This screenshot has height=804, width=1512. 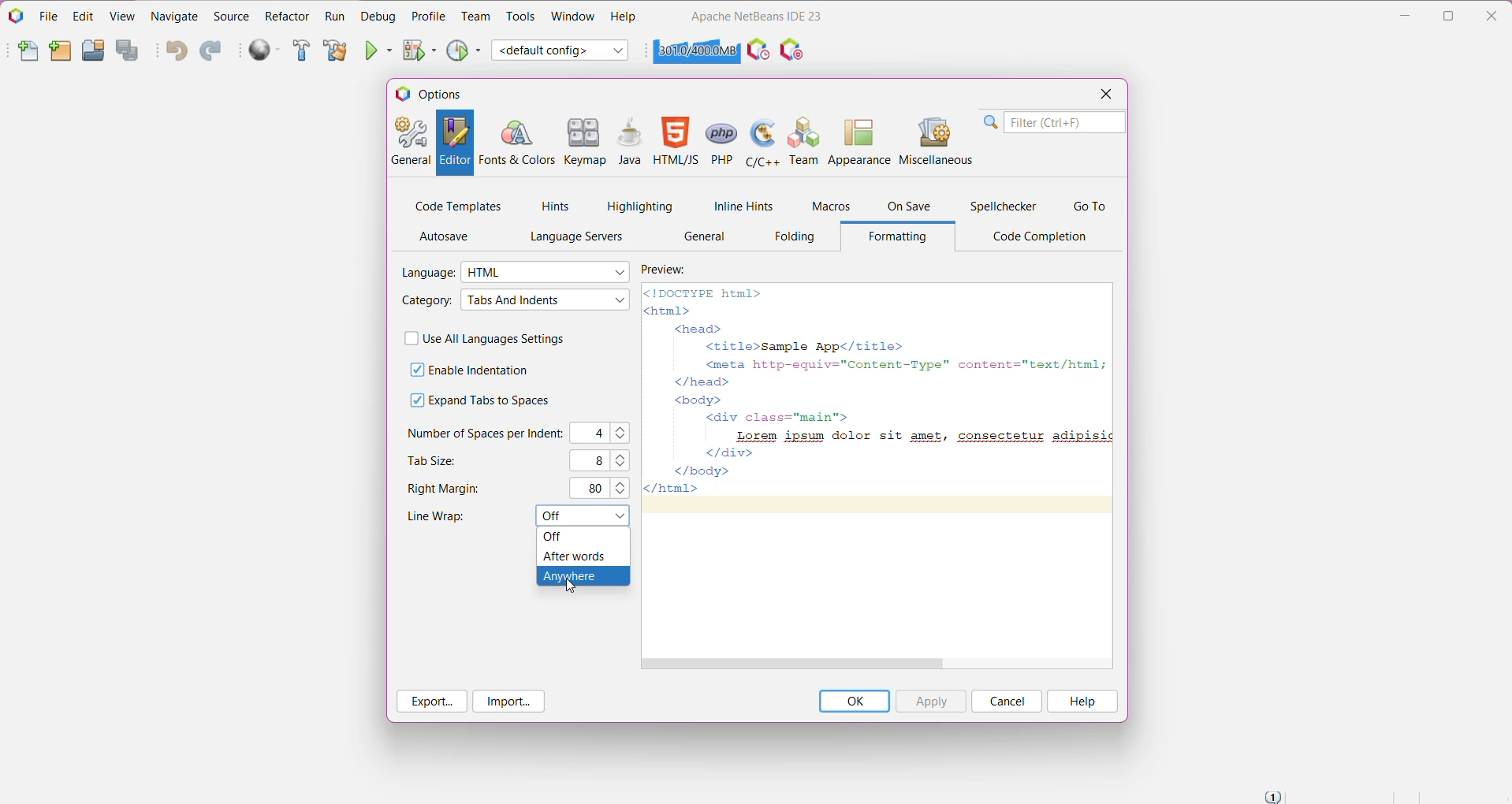 What do you see at coordinates (176, 52) in the screenshot?
I see `Undo` at bounding box center [176, 52].